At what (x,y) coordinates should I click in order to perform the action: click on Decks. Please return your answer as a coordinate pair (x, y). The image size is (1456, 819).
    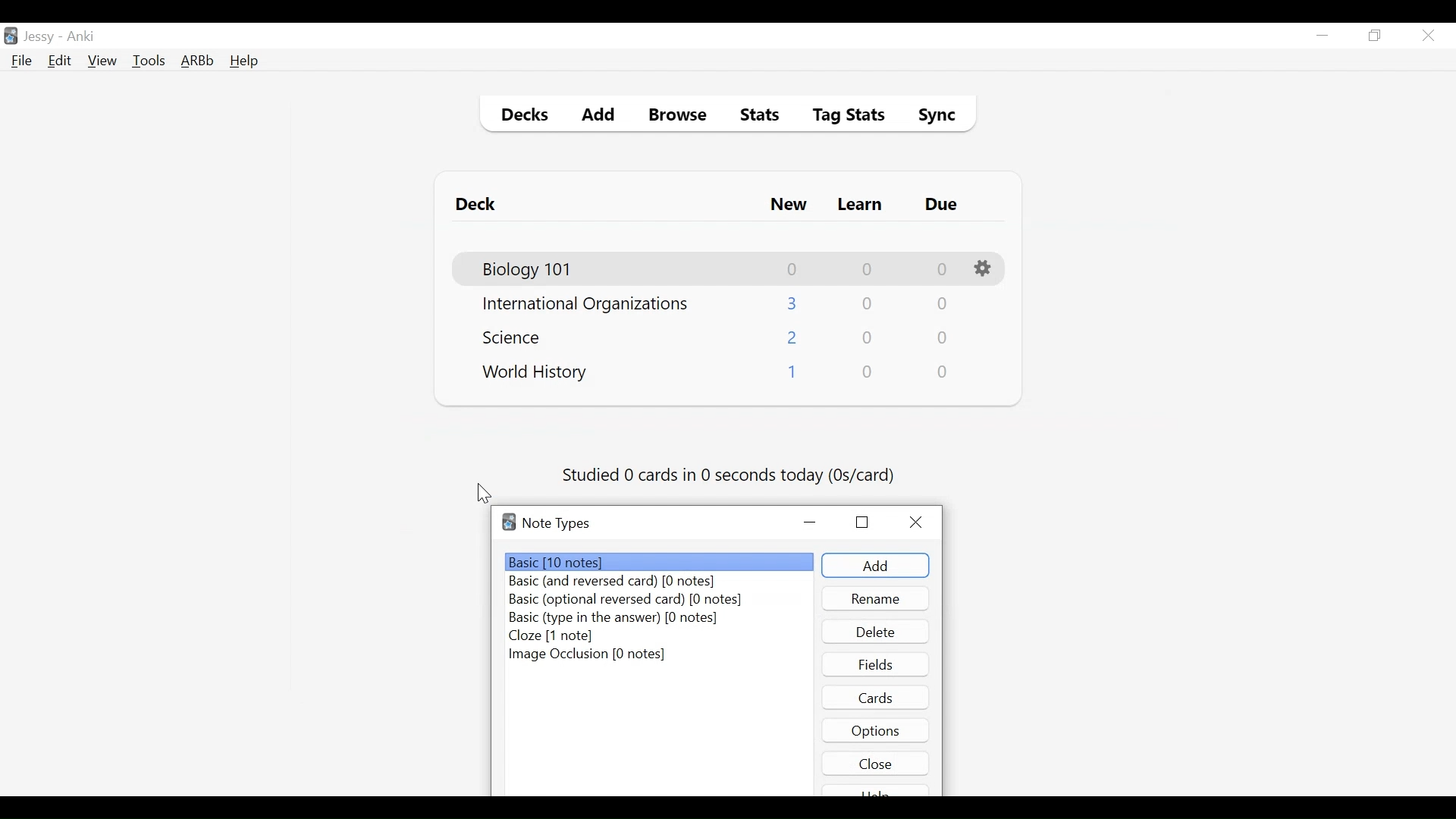
    Looking at the image, I should click on (521, 117).